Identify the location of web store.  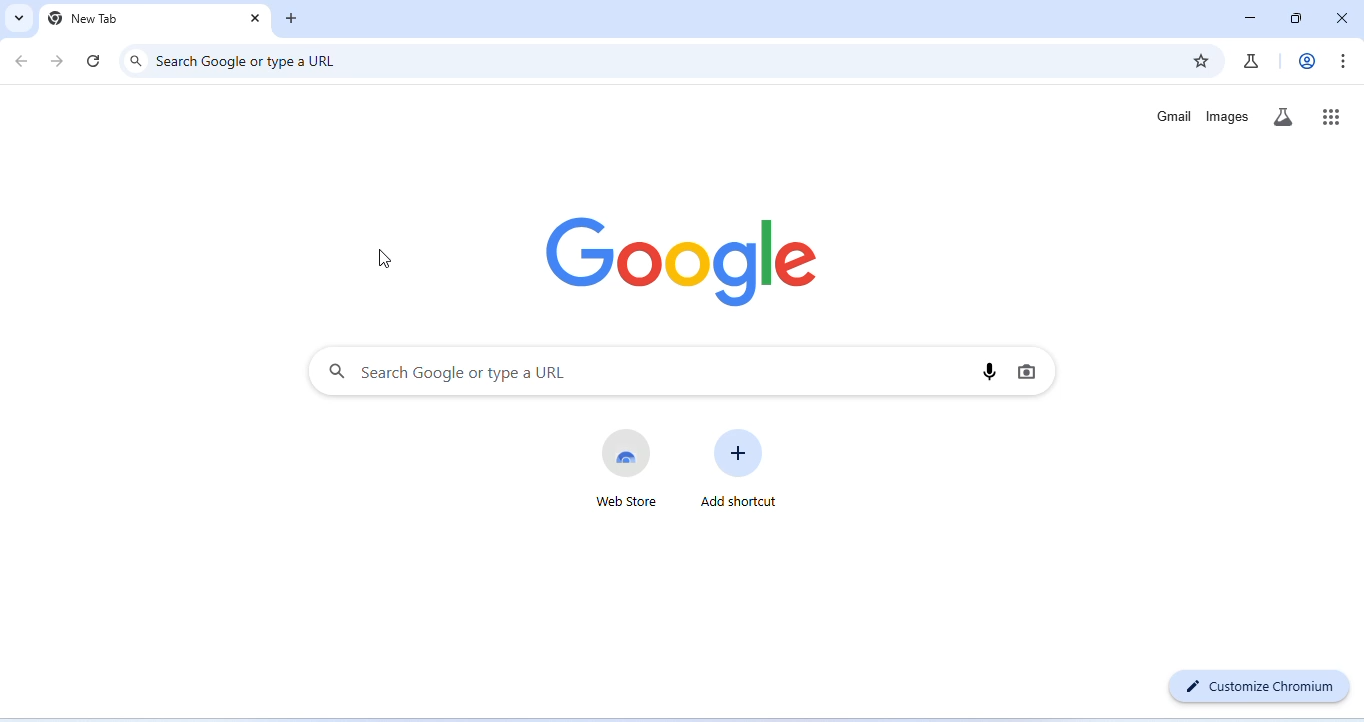
(627, 467).